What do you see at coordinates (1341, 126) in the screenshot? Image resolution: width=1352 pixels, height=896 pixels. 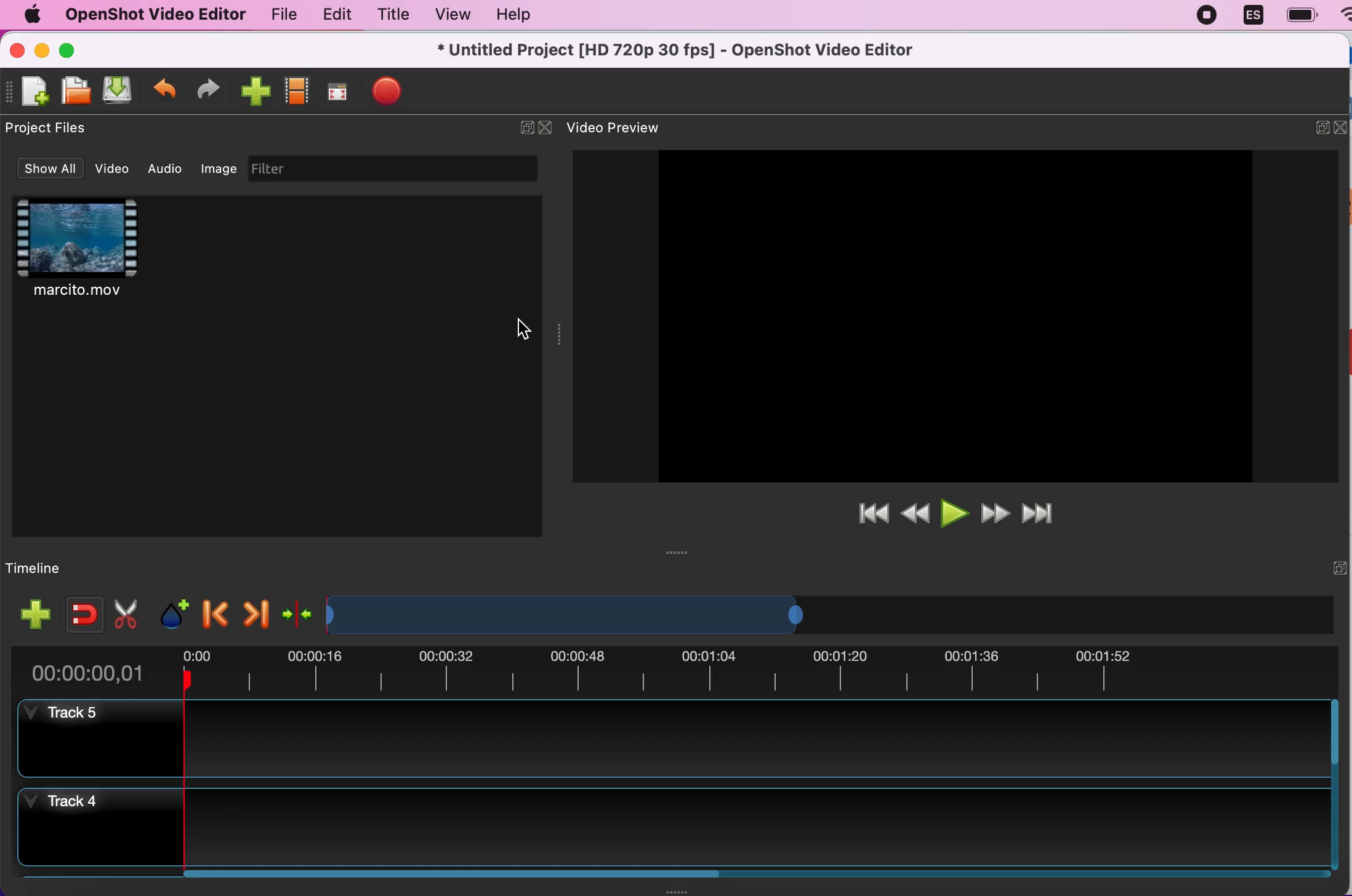 I see `close` at bounding box center [1341, 126].